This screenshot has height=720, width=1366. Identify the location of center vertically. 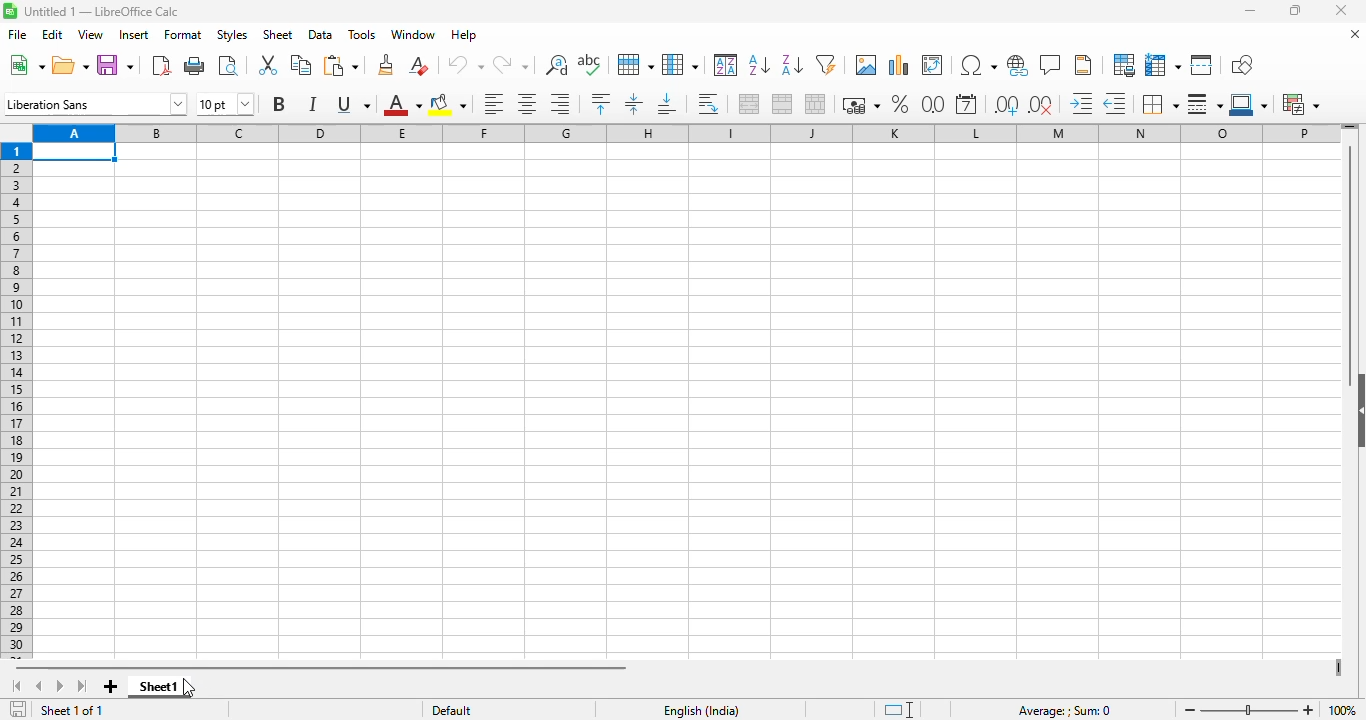
(633, 104).